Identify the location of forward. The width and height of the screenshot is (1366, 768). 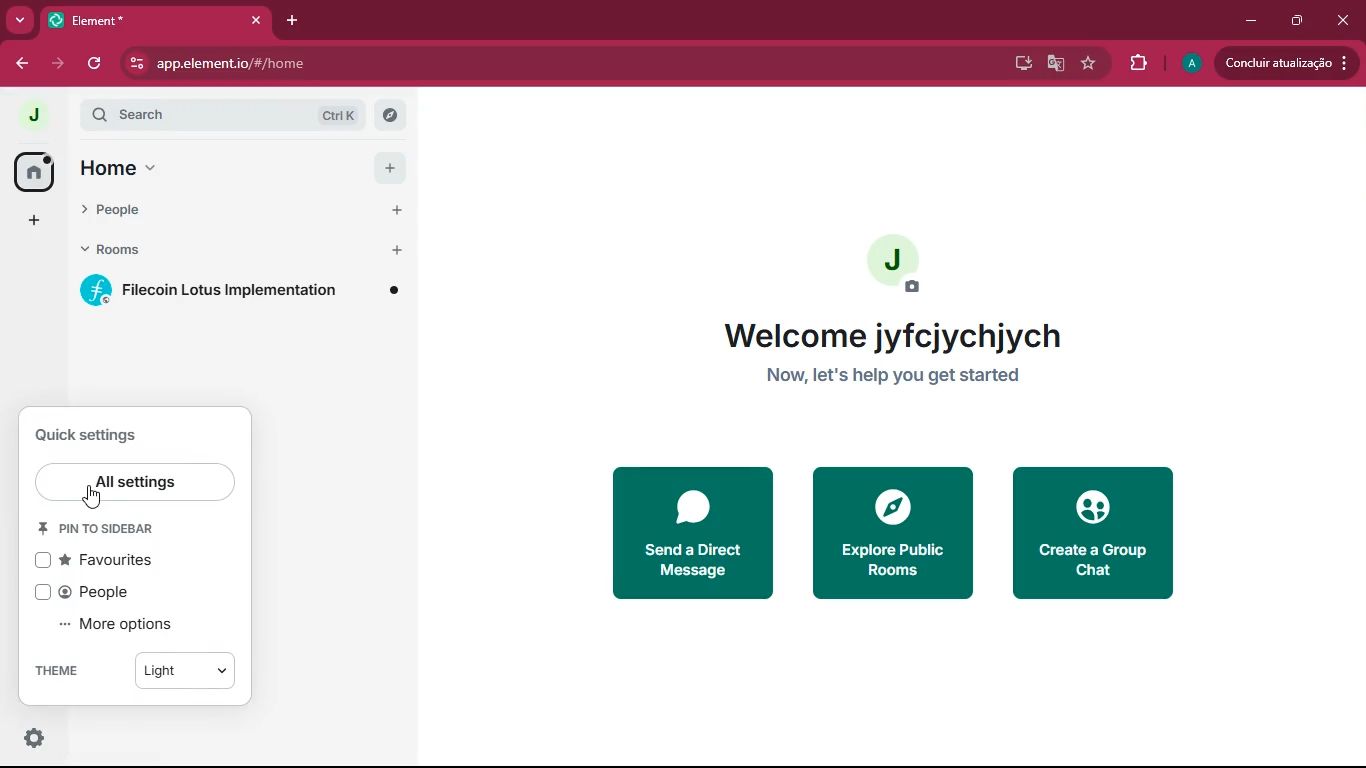
(60, 64).